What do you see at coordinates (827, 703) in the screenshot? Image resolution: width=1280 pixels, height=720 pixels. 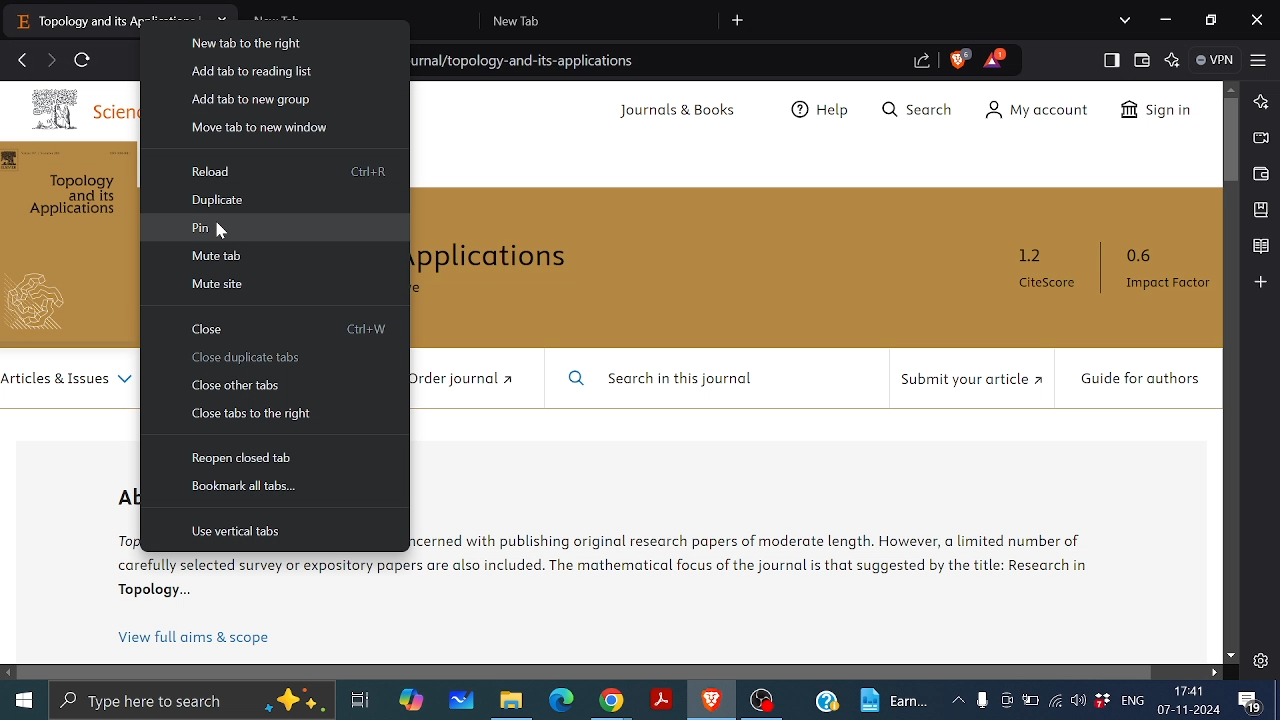 I see `Hp support assistant` at bounding box center [827, 703].